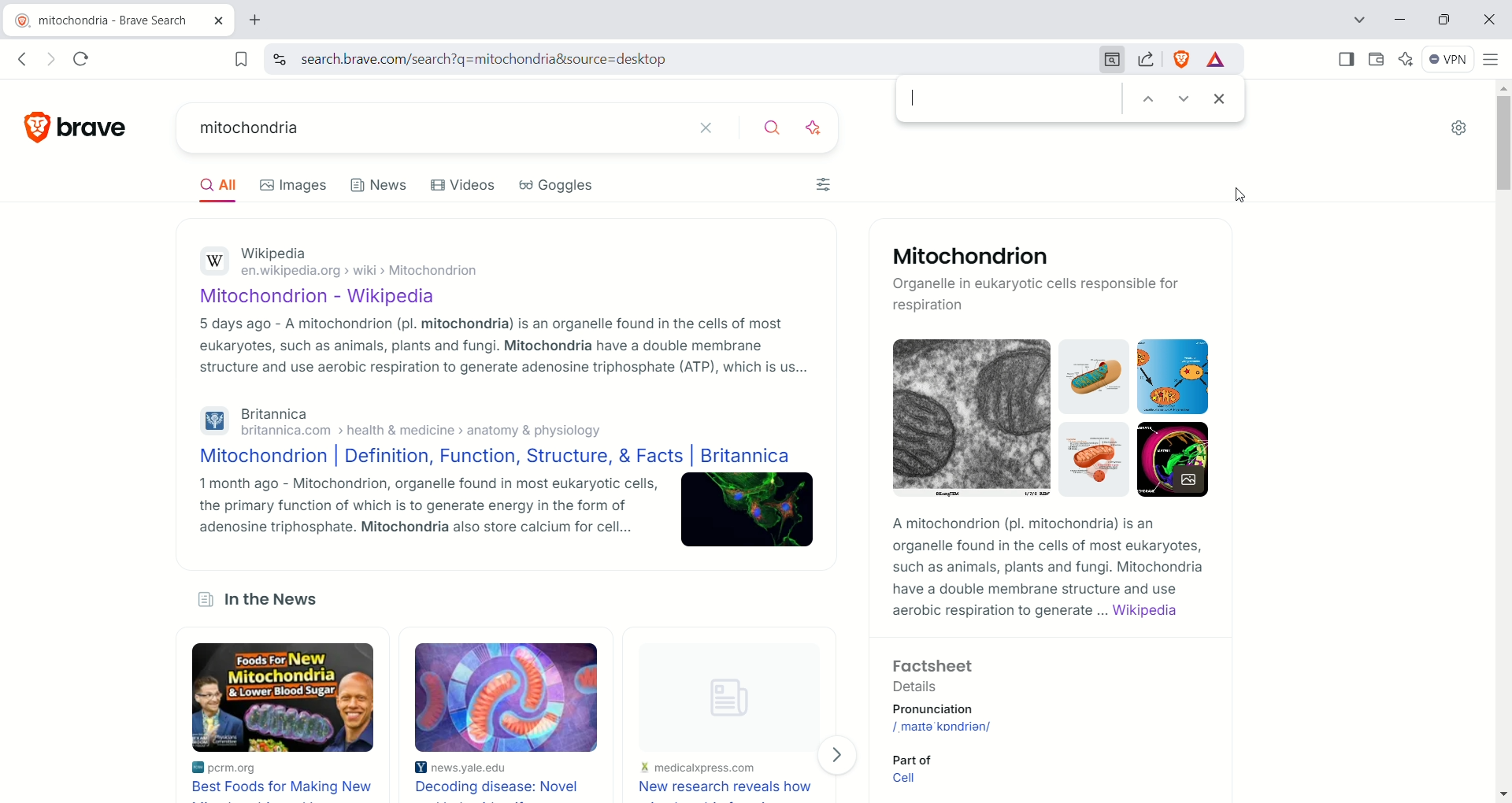  I want to click on close, so click(219, 22).